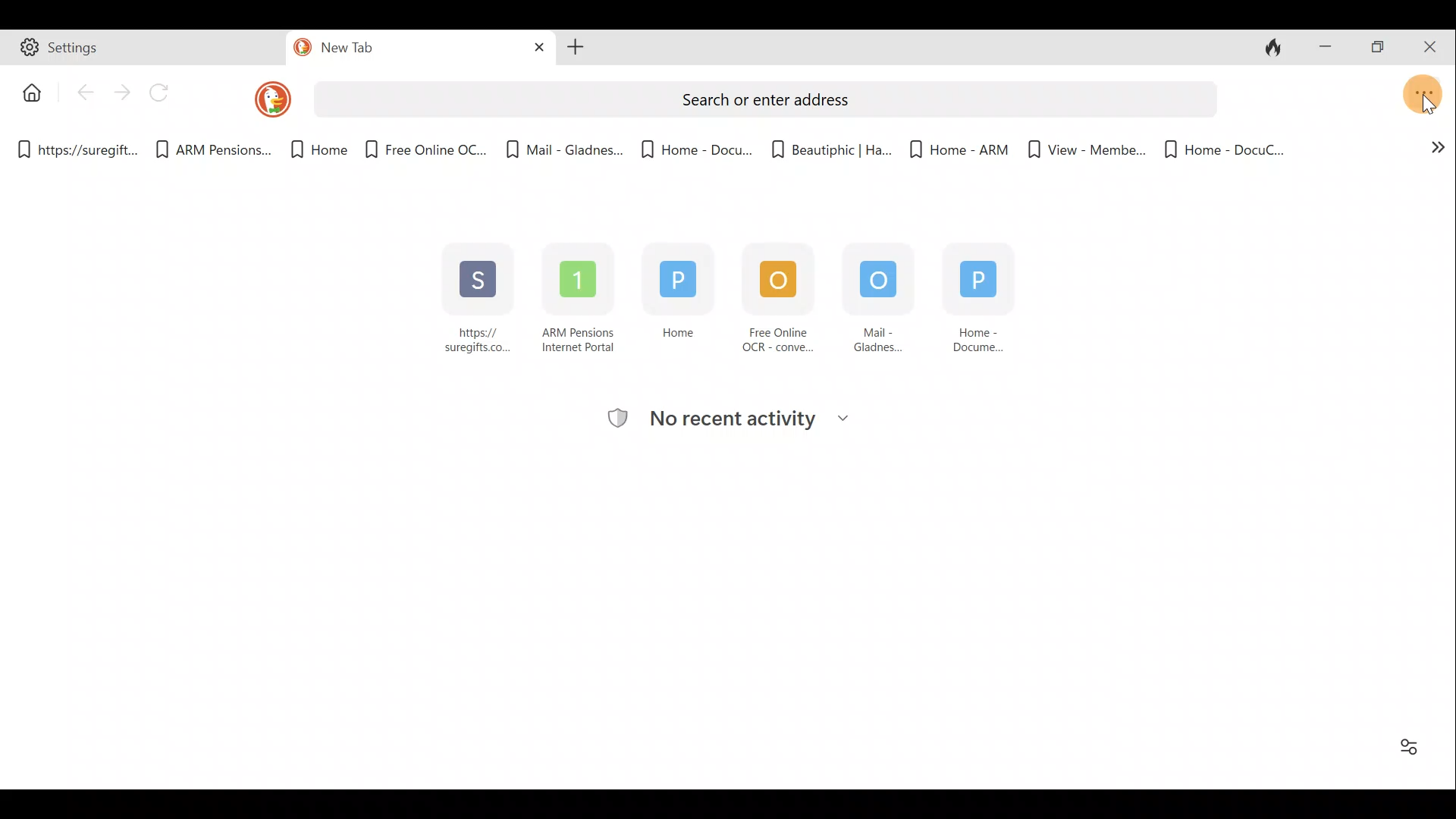 The height and width of the screenshot is (819, 1456). Describe the element at coordinates (1428, 93) in the screenshot. I see `Open application menu` at that location.